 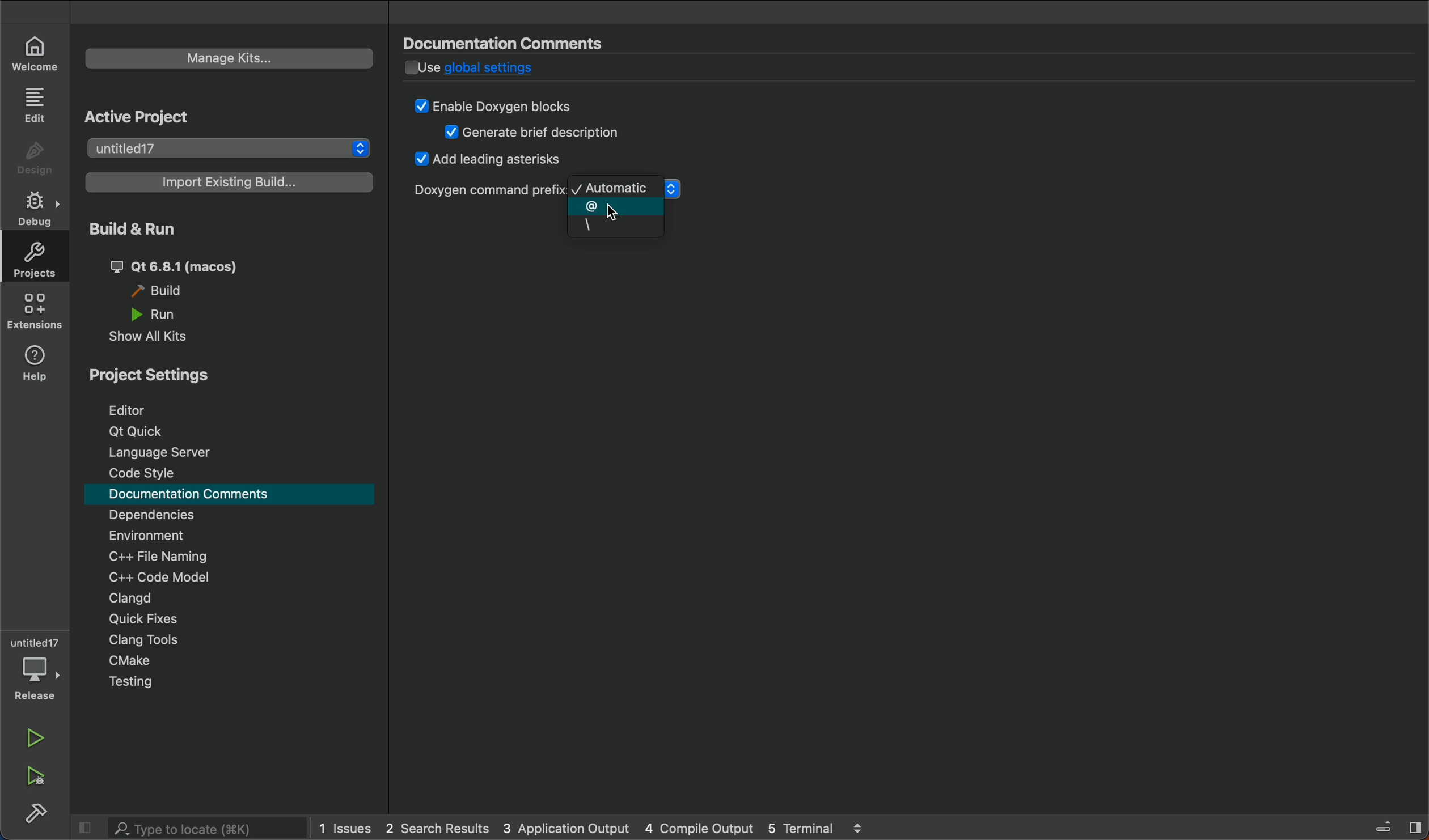 What do you see at coordinates (33, 157) in the screenshot?
I see `design` at bounding box center [33, 157].